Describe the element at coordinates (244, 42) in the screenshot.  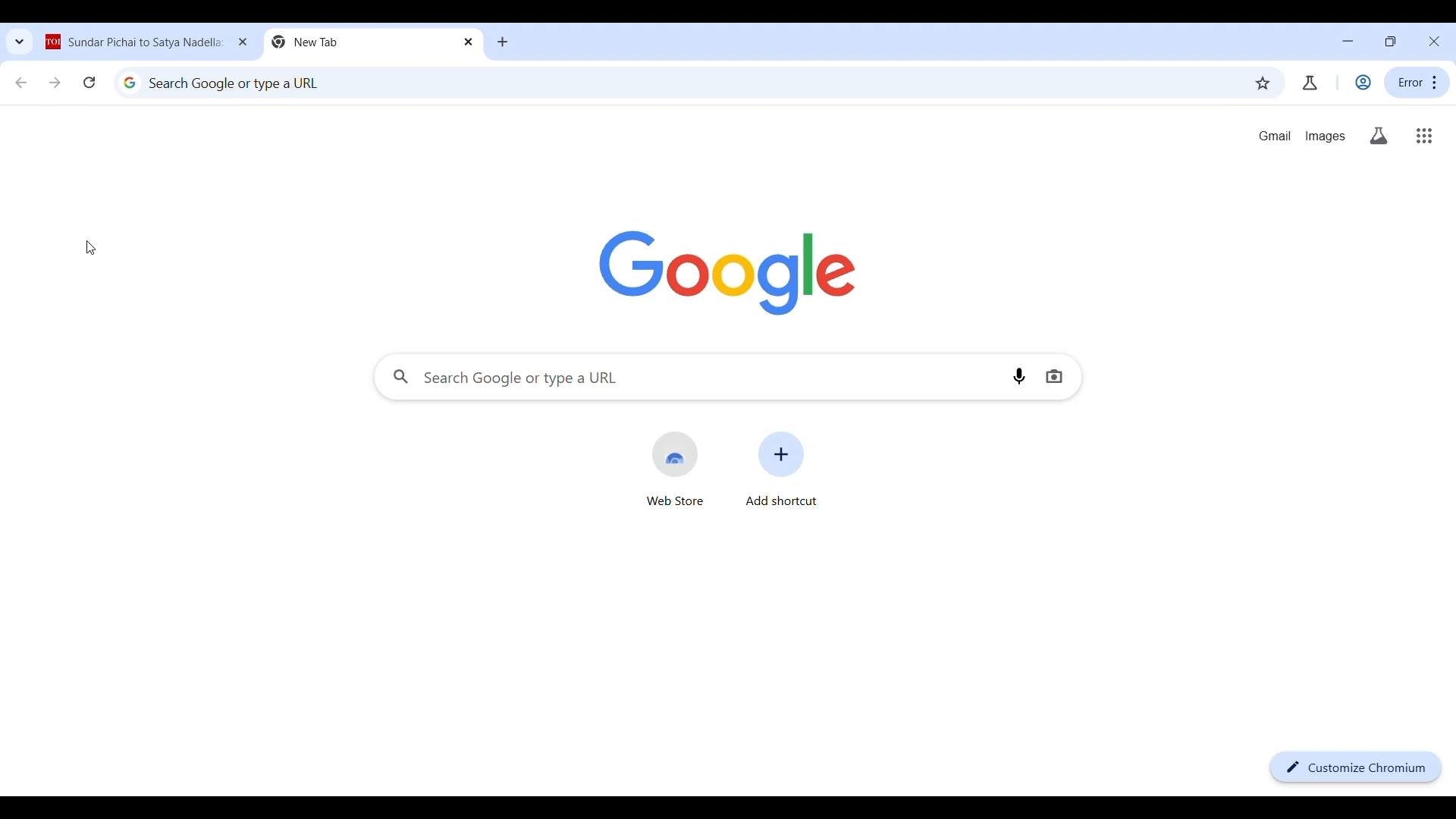
I see `Close tab` at that location.